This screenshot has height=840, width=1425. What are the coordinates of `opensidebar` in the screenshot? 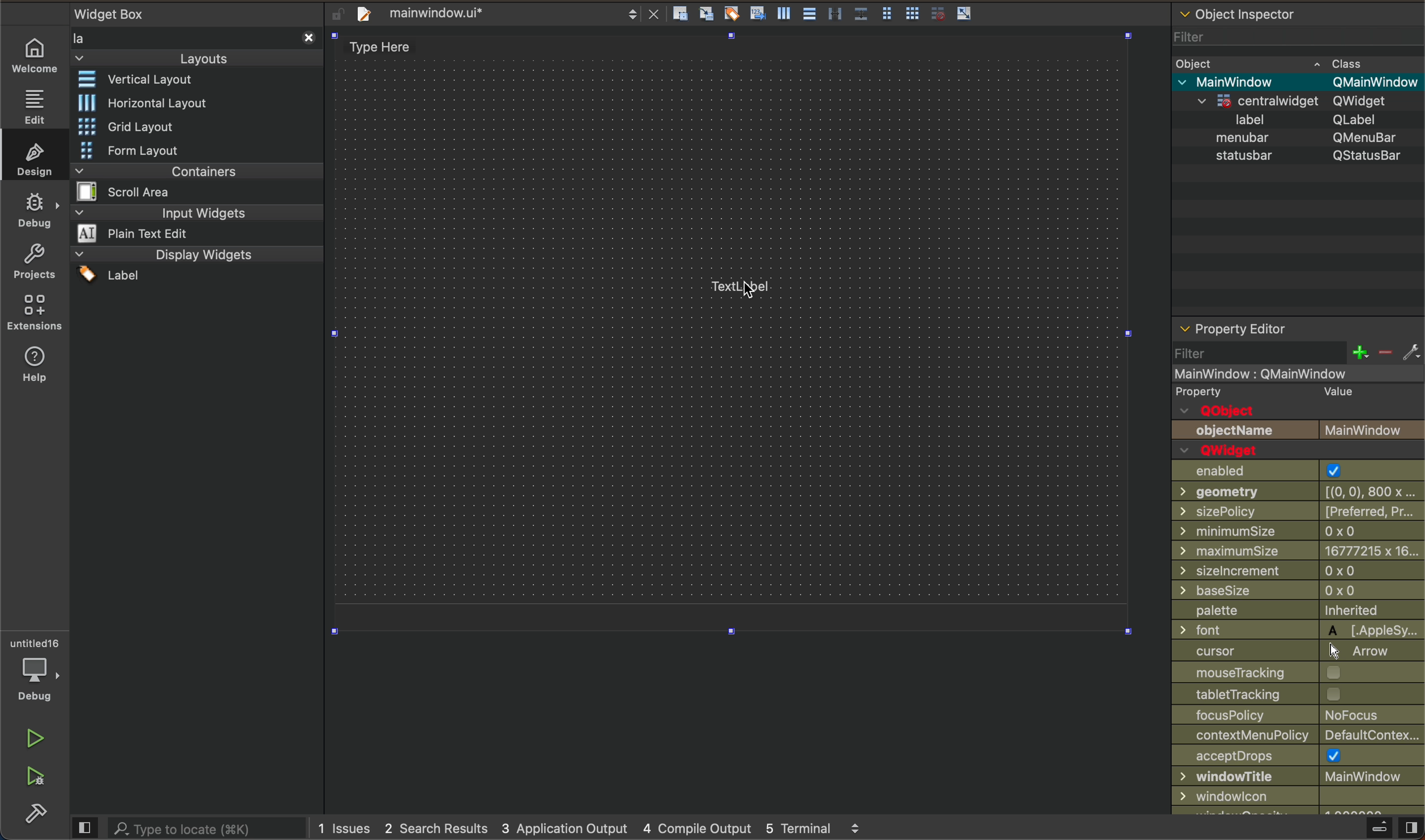 It's located at (1379, 826).